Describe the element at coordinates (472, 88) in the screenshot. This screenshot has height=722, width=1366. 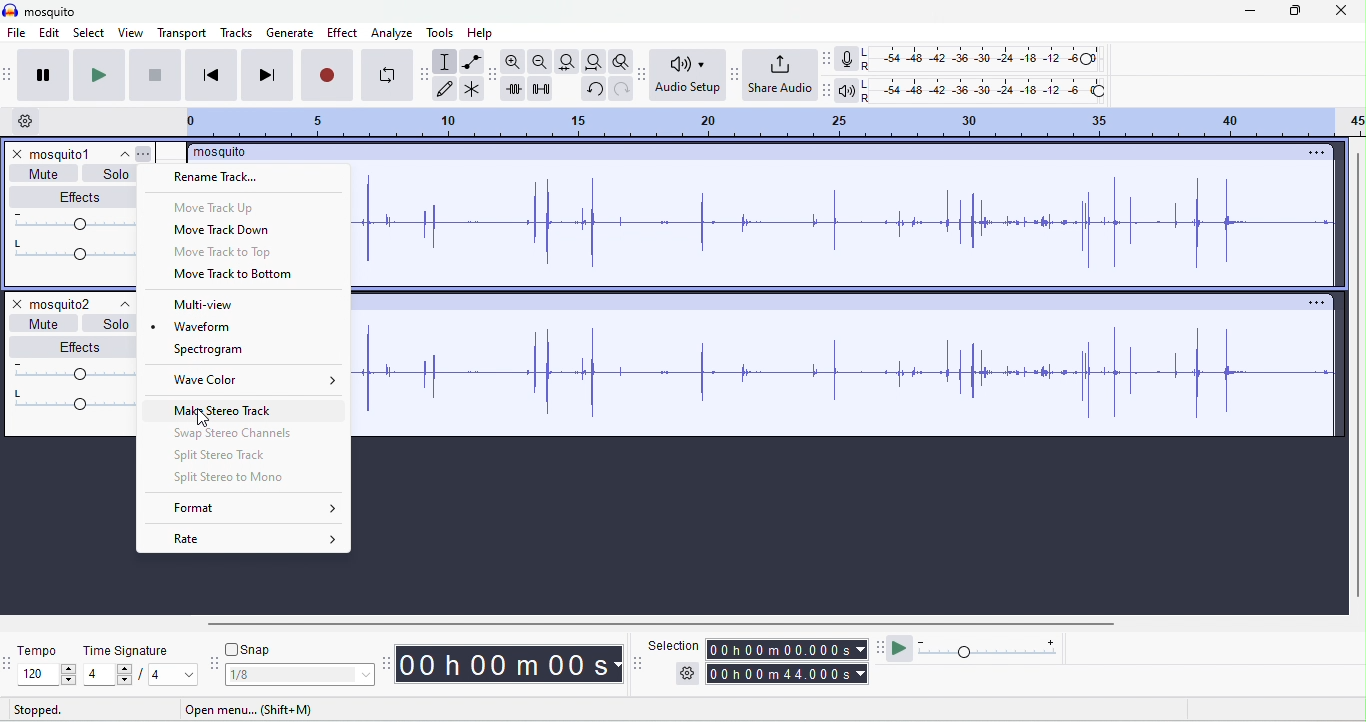
I see `multi` at that location.